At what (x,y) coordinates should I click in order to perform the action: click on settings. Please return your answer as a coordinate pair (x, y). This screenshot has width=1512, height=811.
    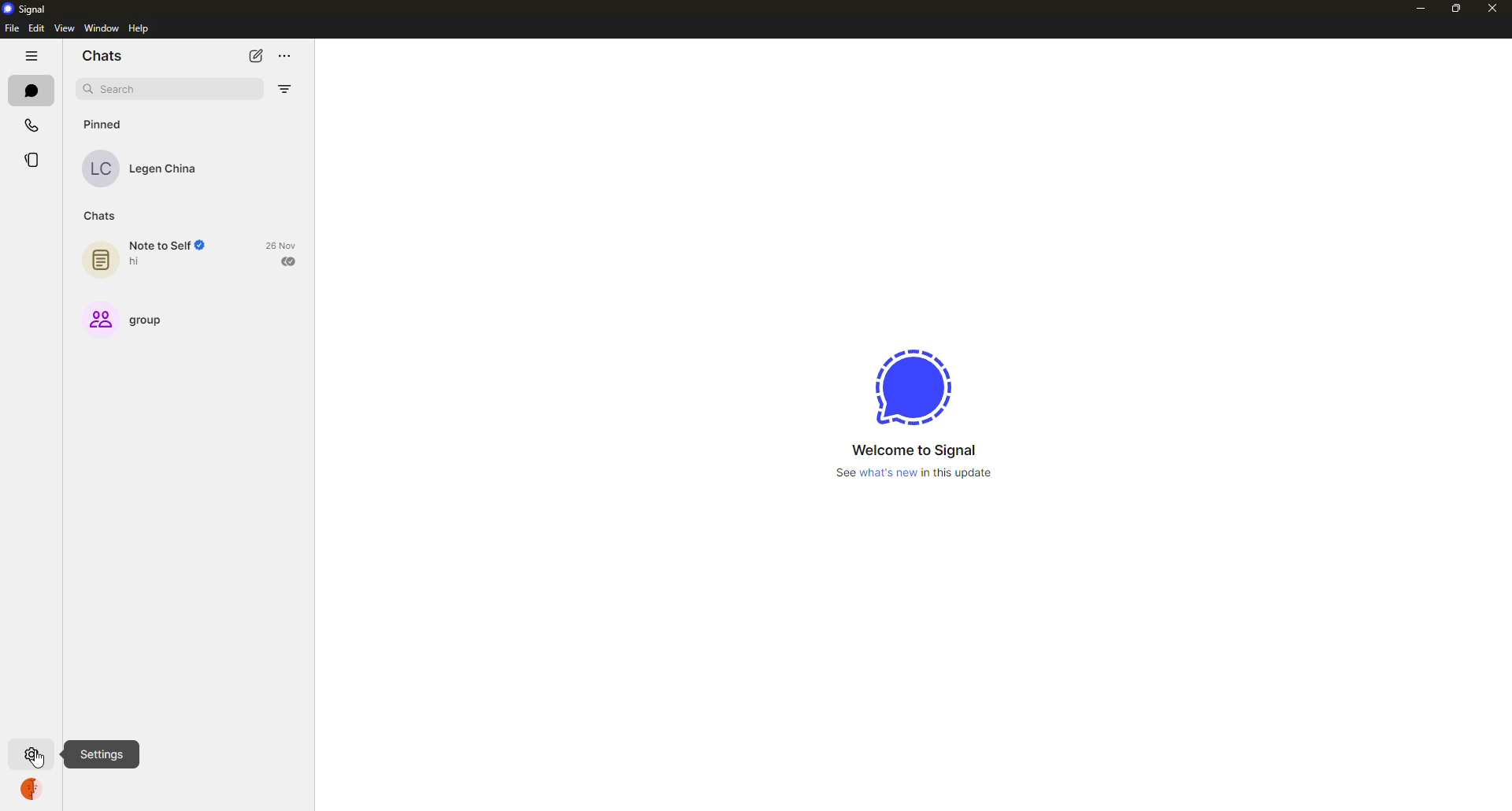
    Looking at the image, I should click on (33, 754).